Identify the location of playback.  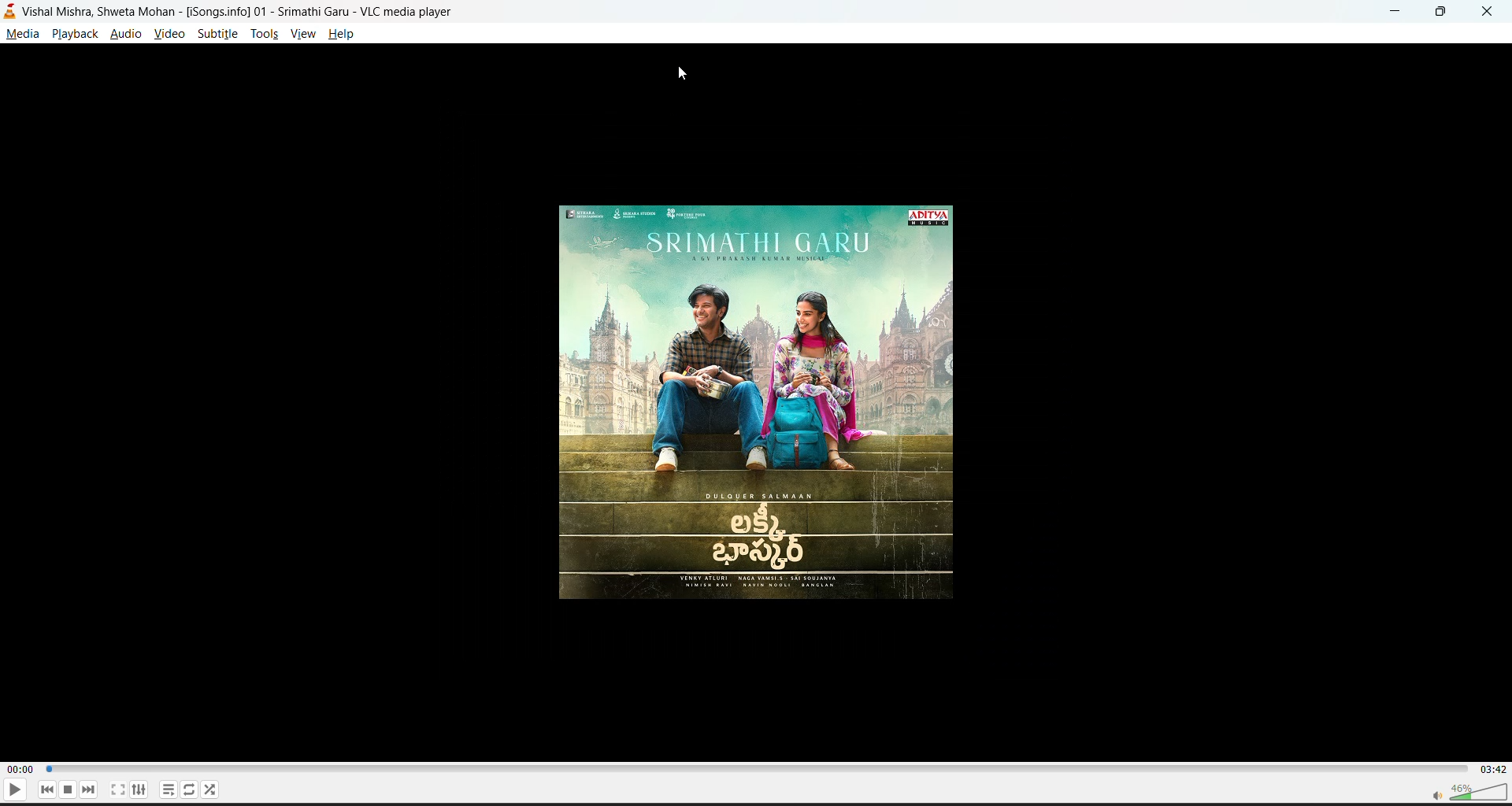
(76, 35).